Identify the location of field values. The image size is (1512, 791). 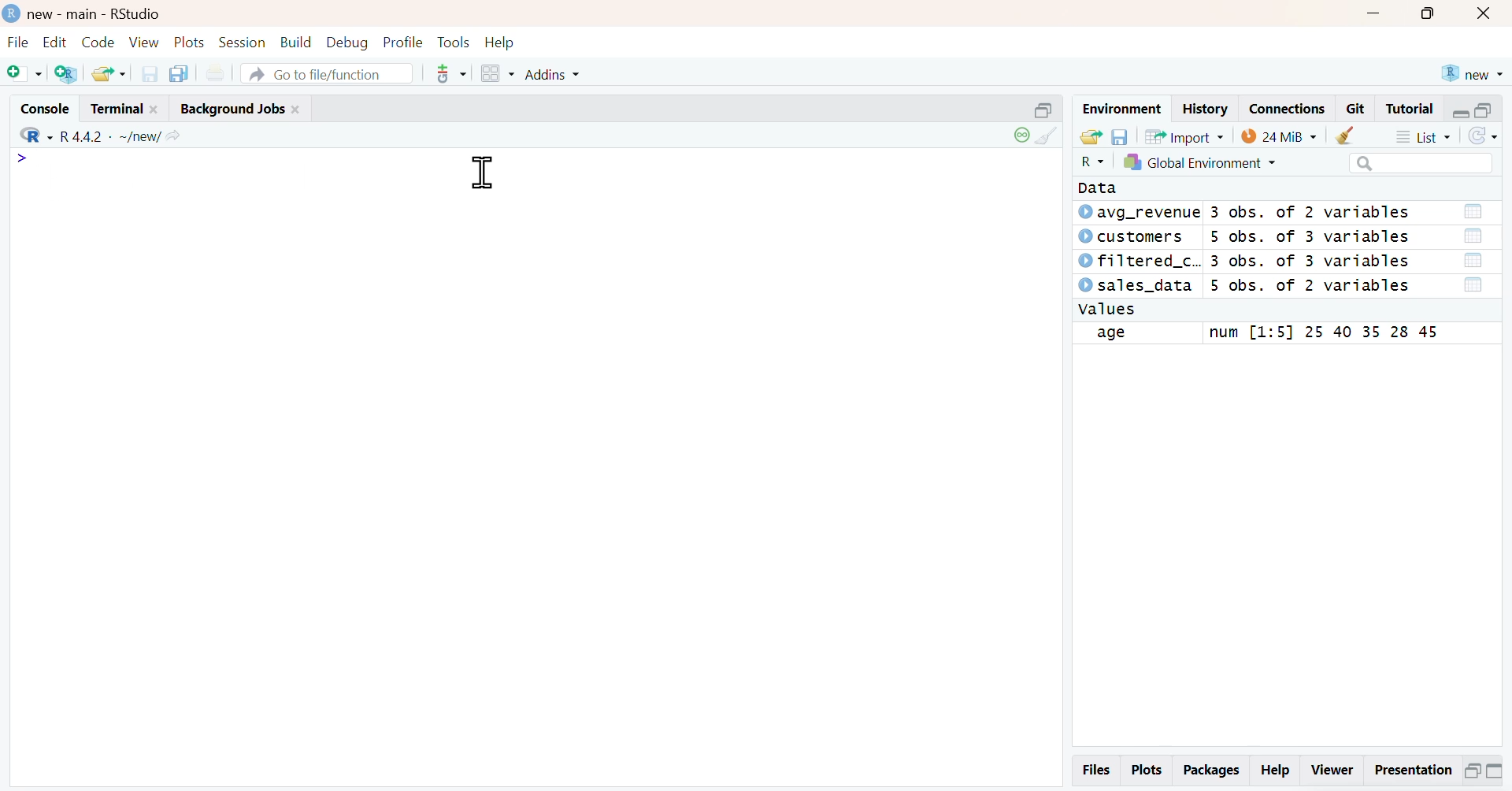
(1320, 333).